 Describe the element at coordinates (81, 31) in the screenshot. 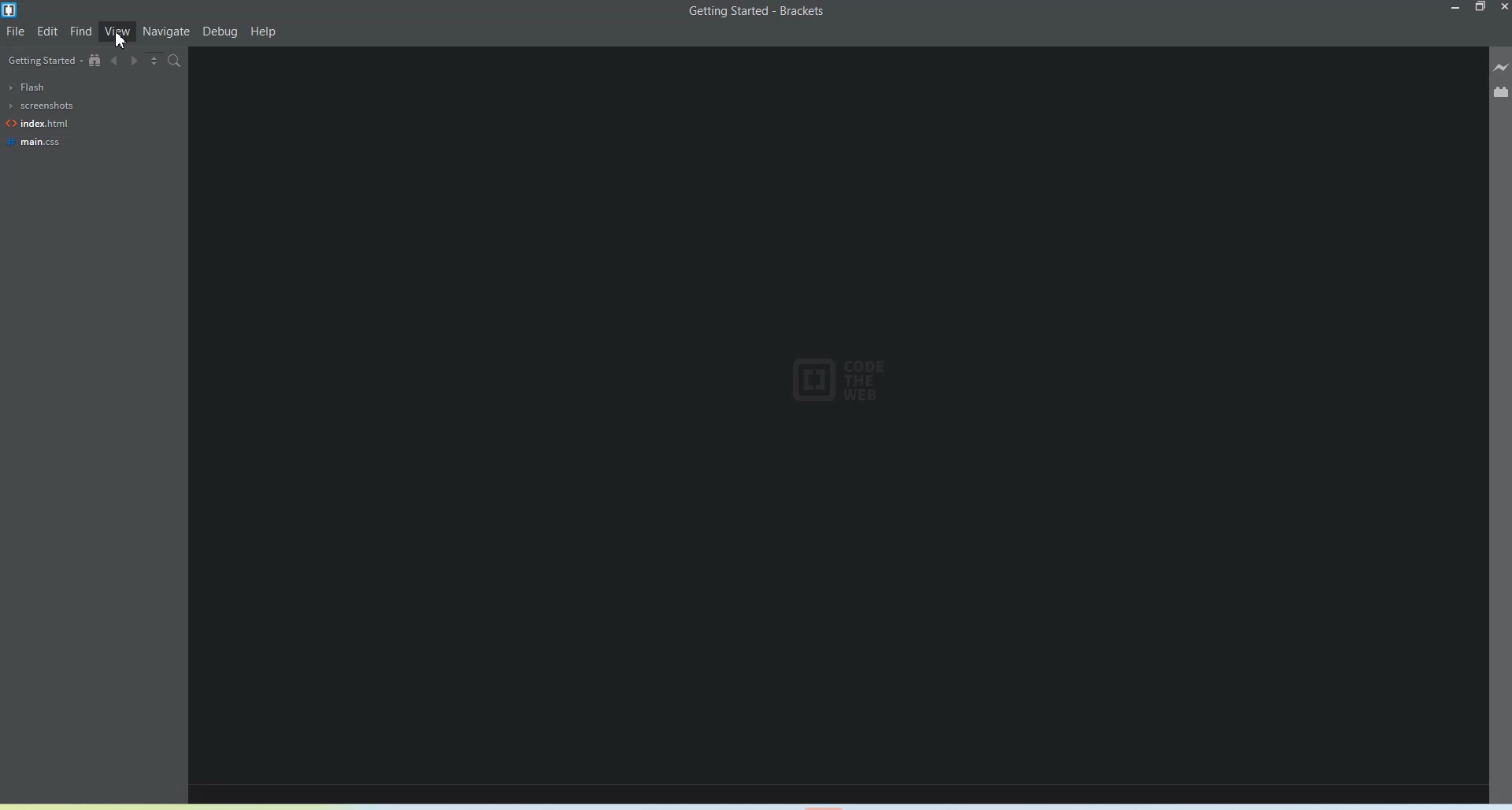

I see `Find` at that location.